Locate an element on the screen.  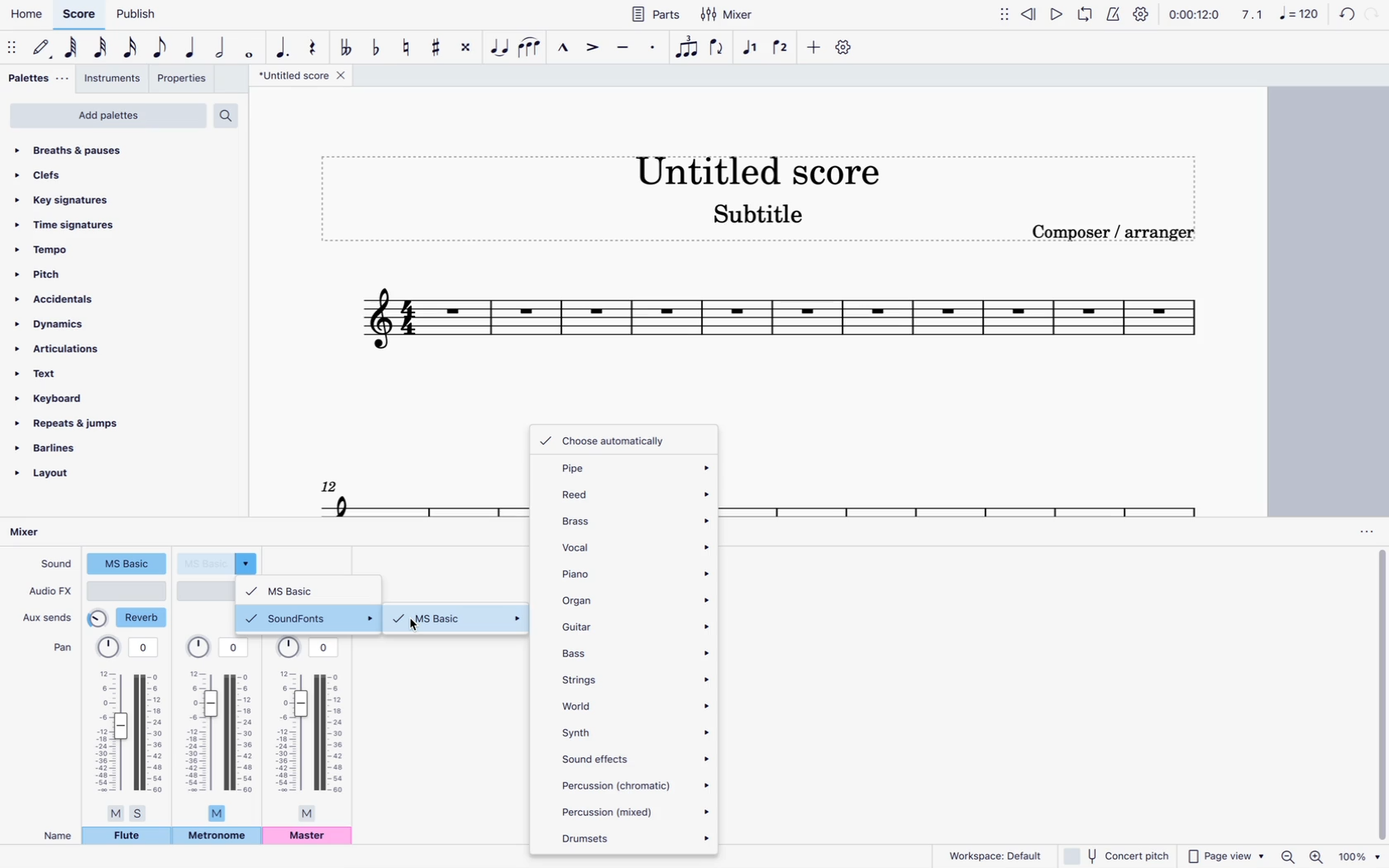
percussion (mixed) is located at coordinates (635, 812).